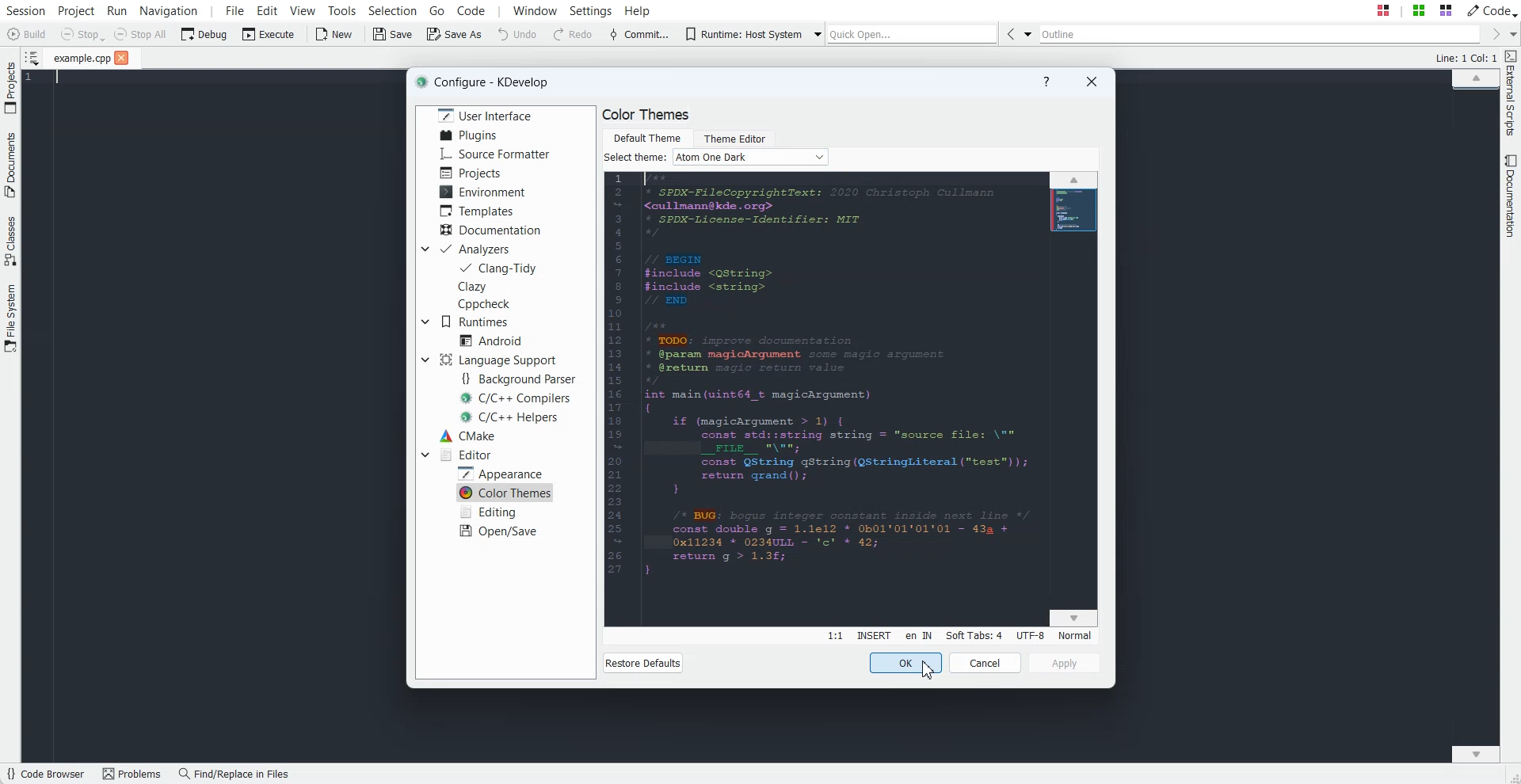 This screenshot has height=784, width=1521. I want to click on Cursor, so click(927, 668).